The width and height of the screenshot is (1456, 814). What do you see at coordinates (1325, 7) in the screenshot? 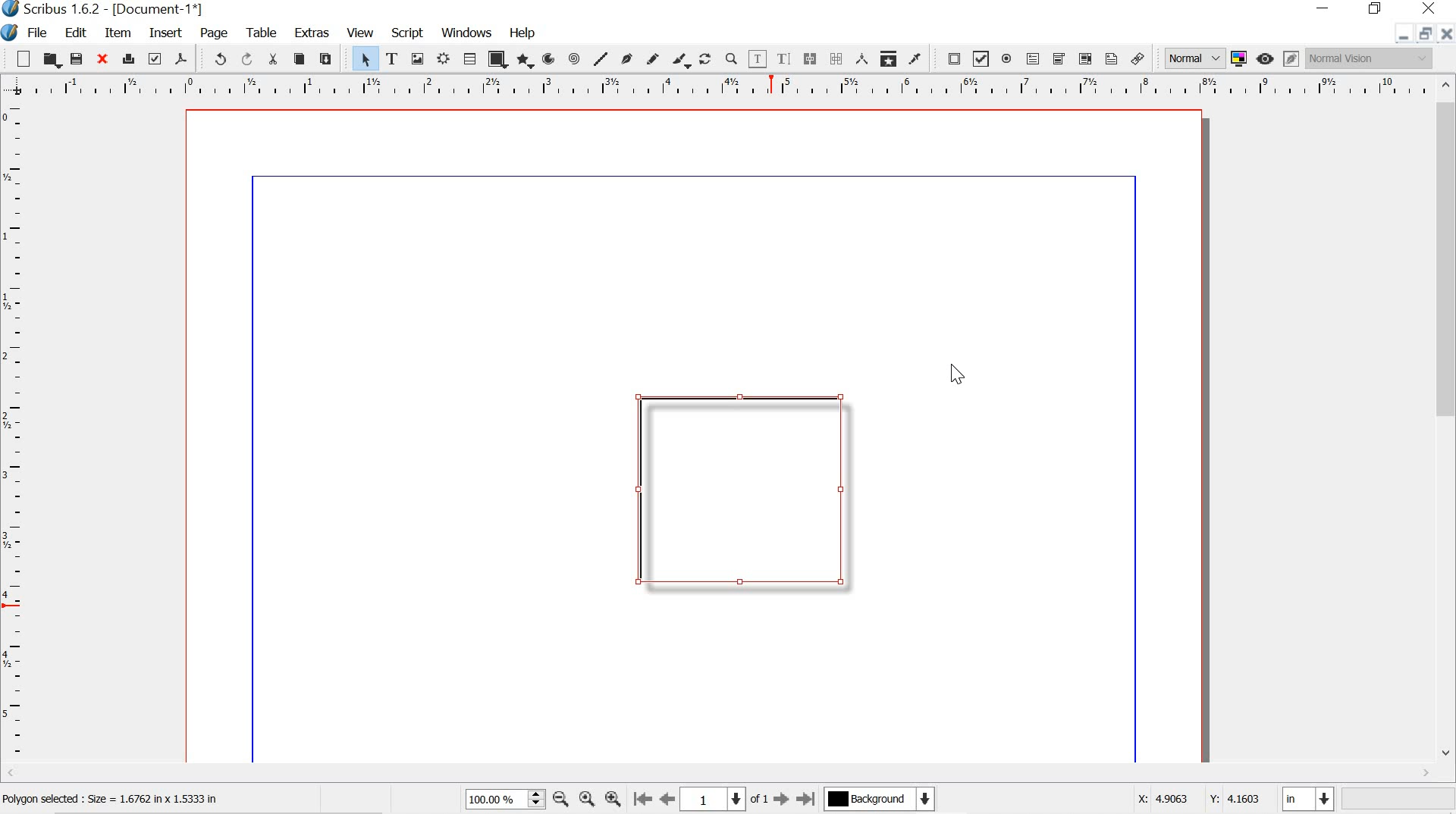
I see `MINIMIZE` at bounding box center [1325, 7].